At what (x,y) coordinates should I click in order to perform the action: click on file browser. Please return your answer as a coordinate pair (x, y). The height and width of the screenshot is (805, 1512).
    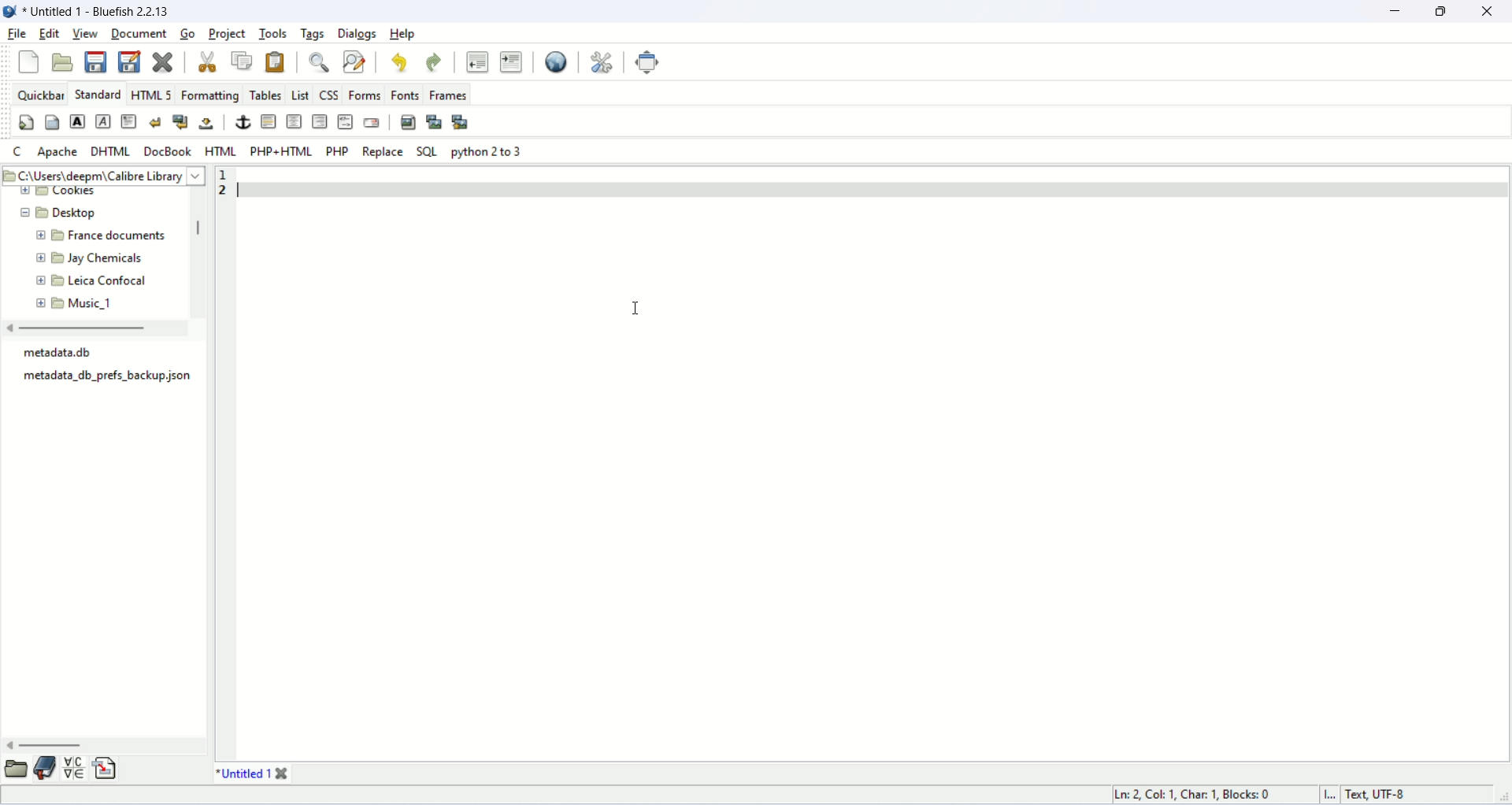
    Looking at the image, I should click on (16, 769).